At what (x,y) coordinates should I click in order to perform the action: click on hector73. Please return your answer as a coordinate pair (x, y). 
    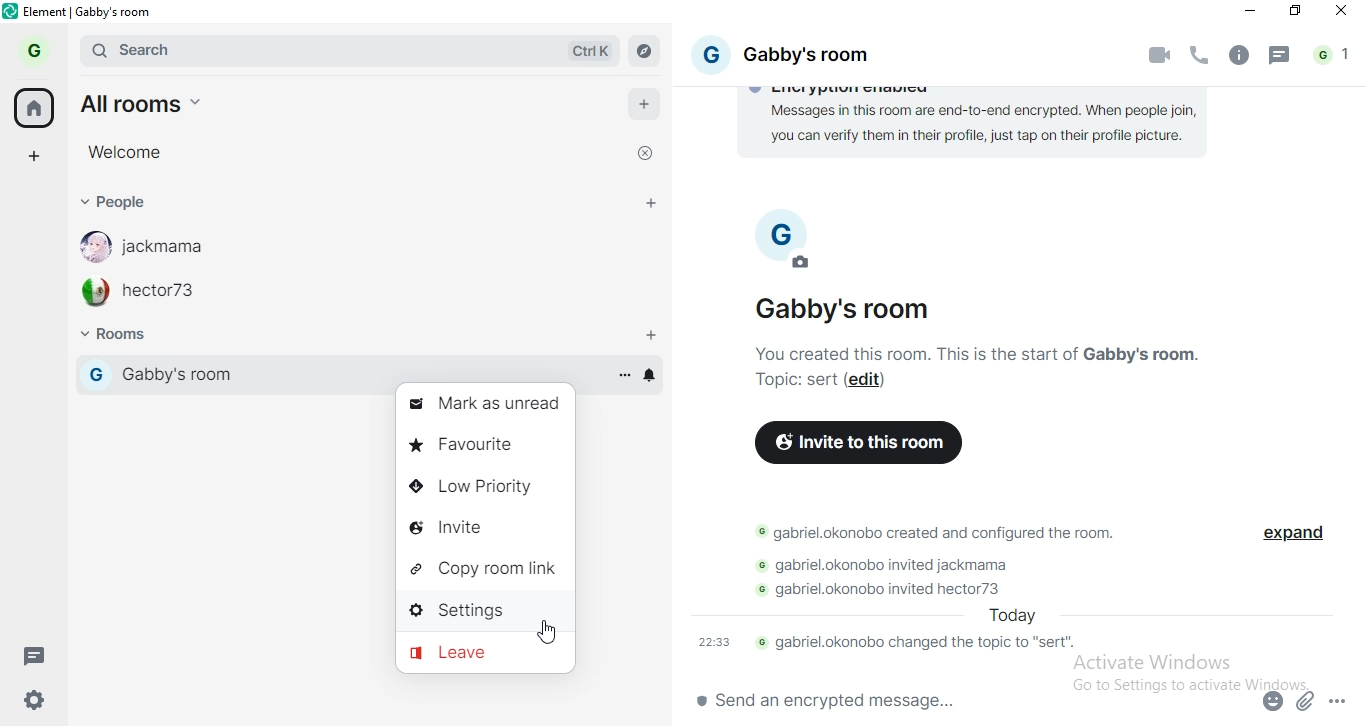
    Looking at the image, I should click on (166, 295).